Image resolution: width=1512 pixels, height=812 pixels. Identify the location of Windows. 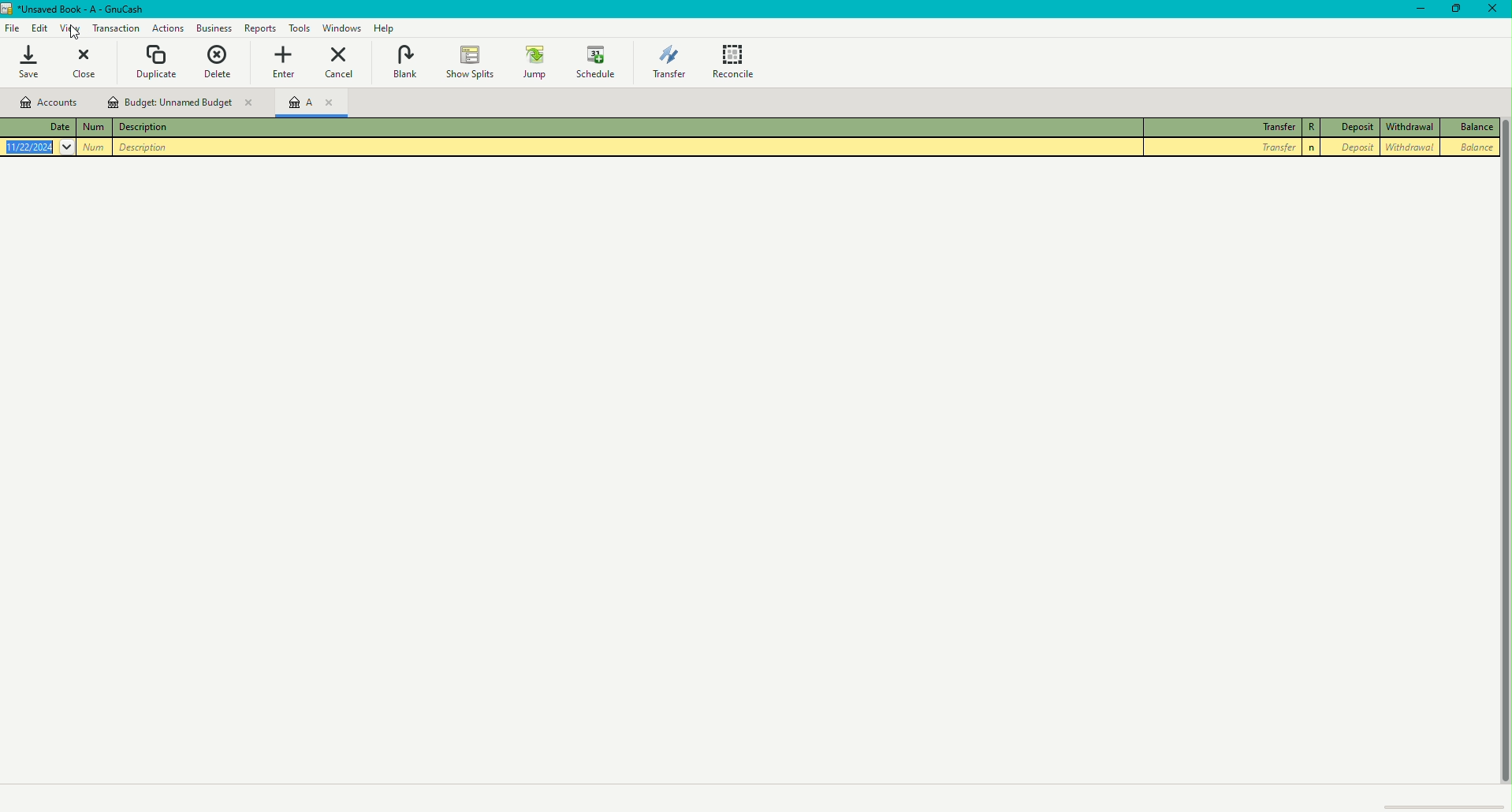
(342, 28).